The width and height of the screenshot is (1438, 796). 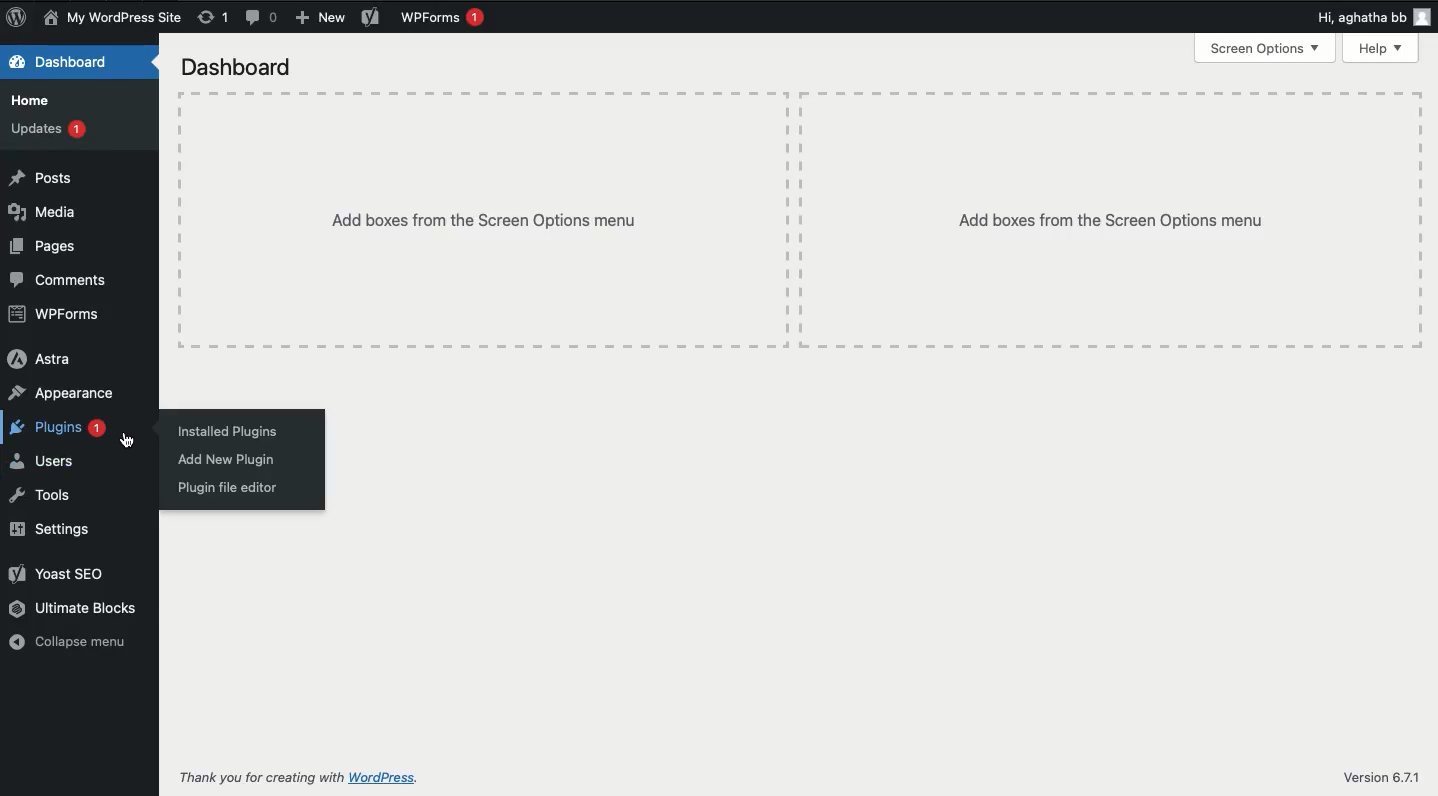 I want to click on Updates, so click(x=53, y=129).